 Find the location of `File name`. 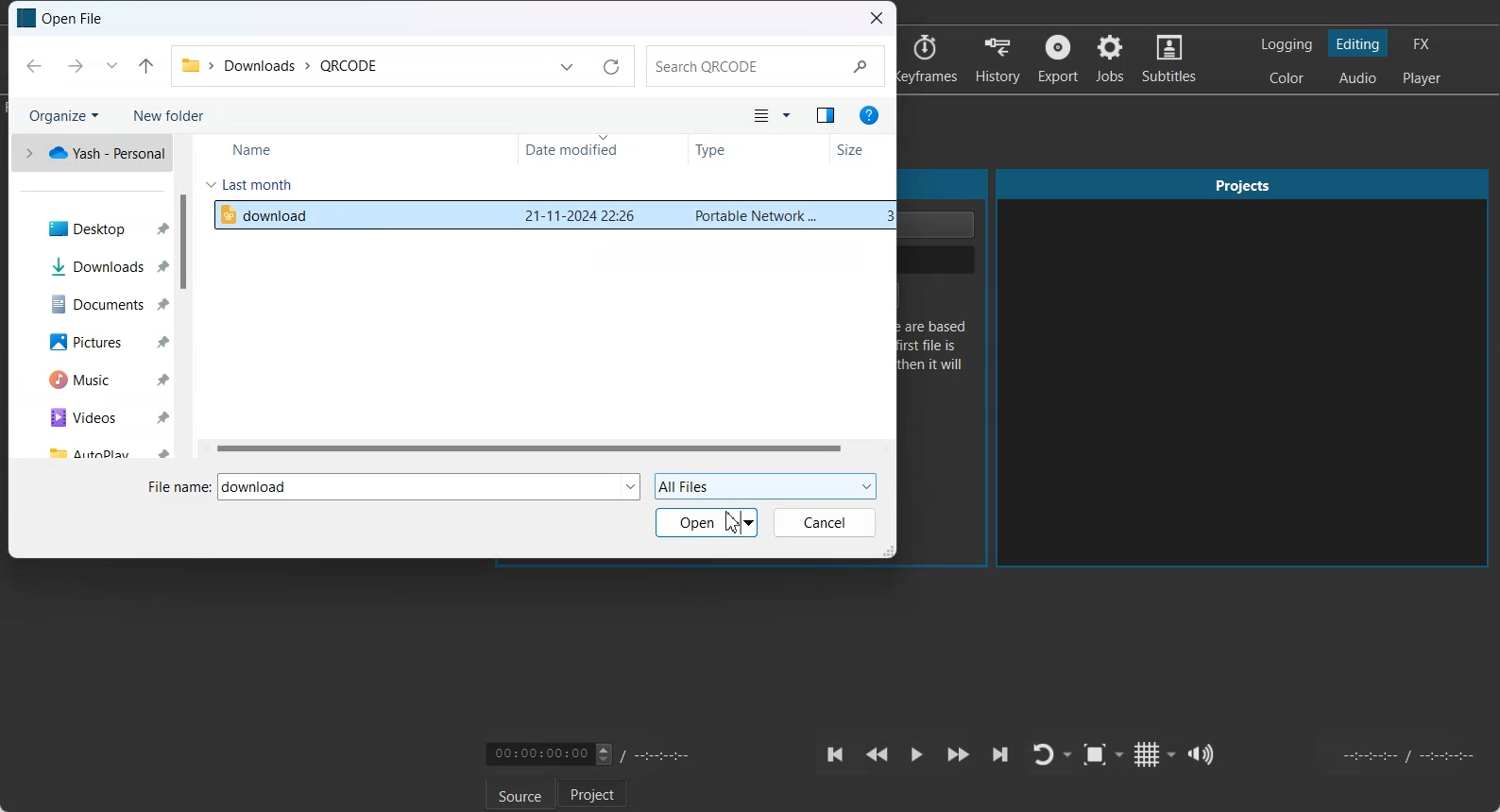

File name is located at coordinates (179, 488).